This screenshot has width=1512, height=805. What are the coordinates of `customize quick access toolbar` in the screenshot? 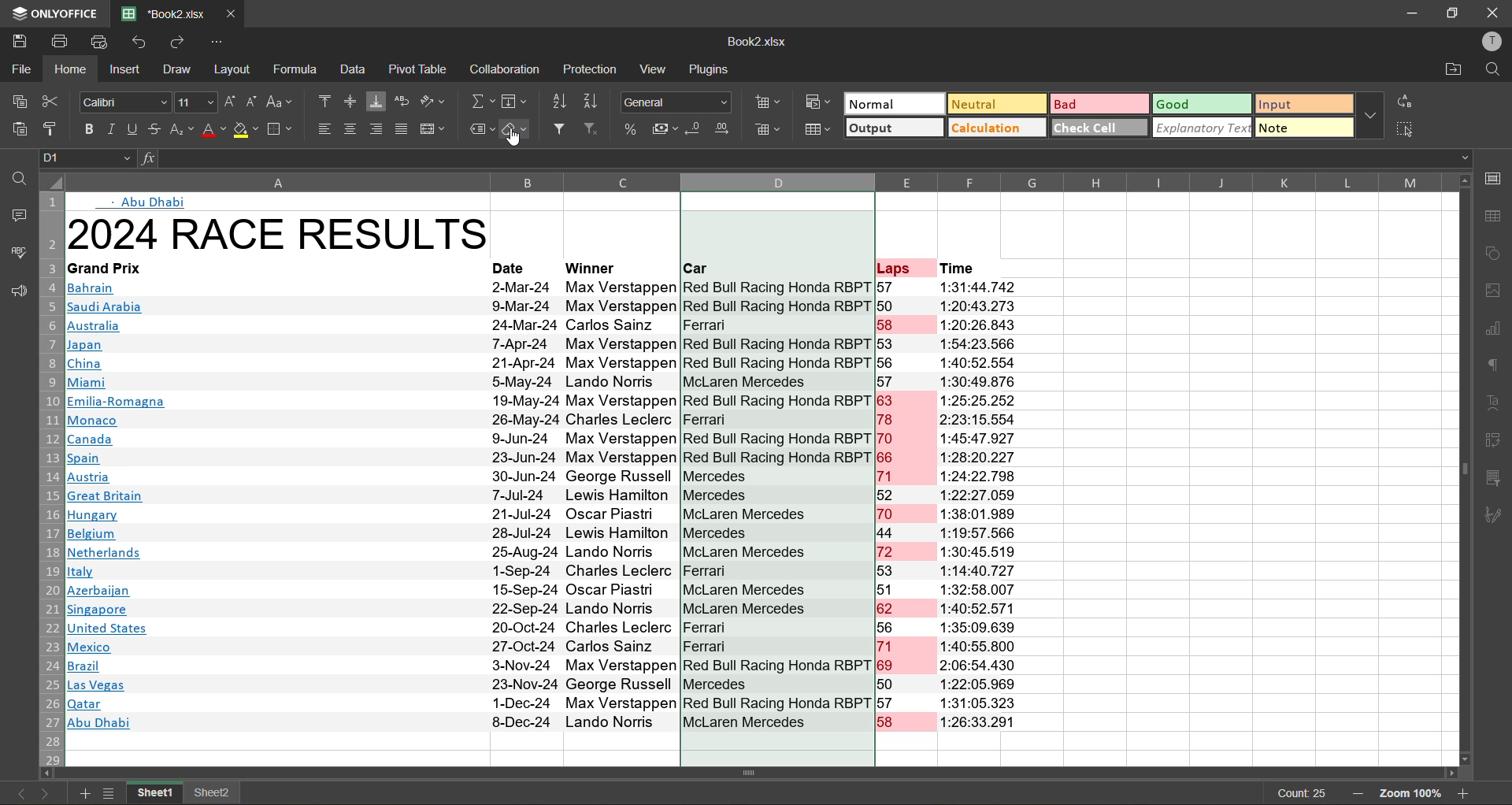 It's located at (222, 42).